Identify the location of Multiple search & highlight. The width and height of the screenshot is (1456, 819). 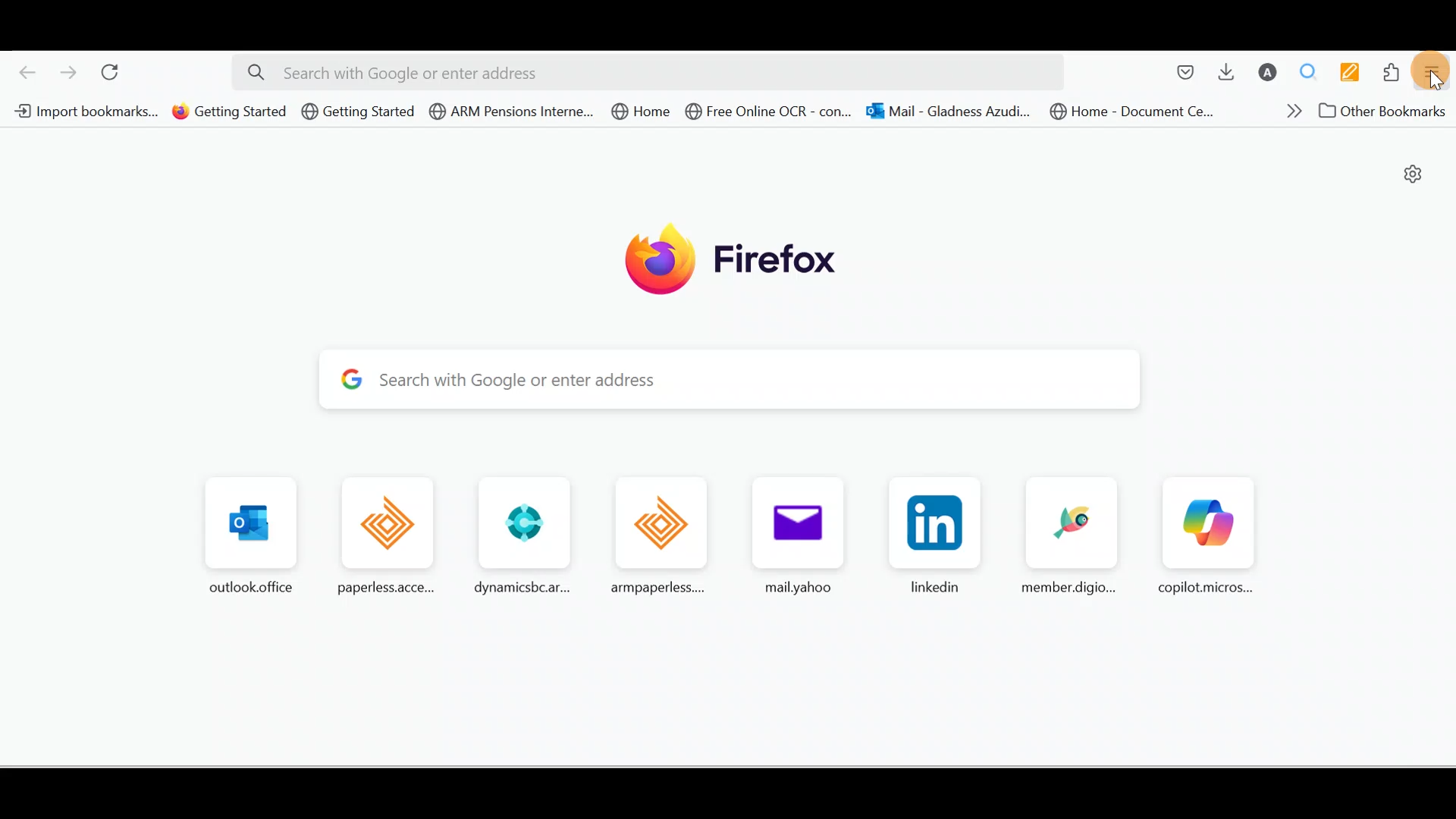
(1309, 71).